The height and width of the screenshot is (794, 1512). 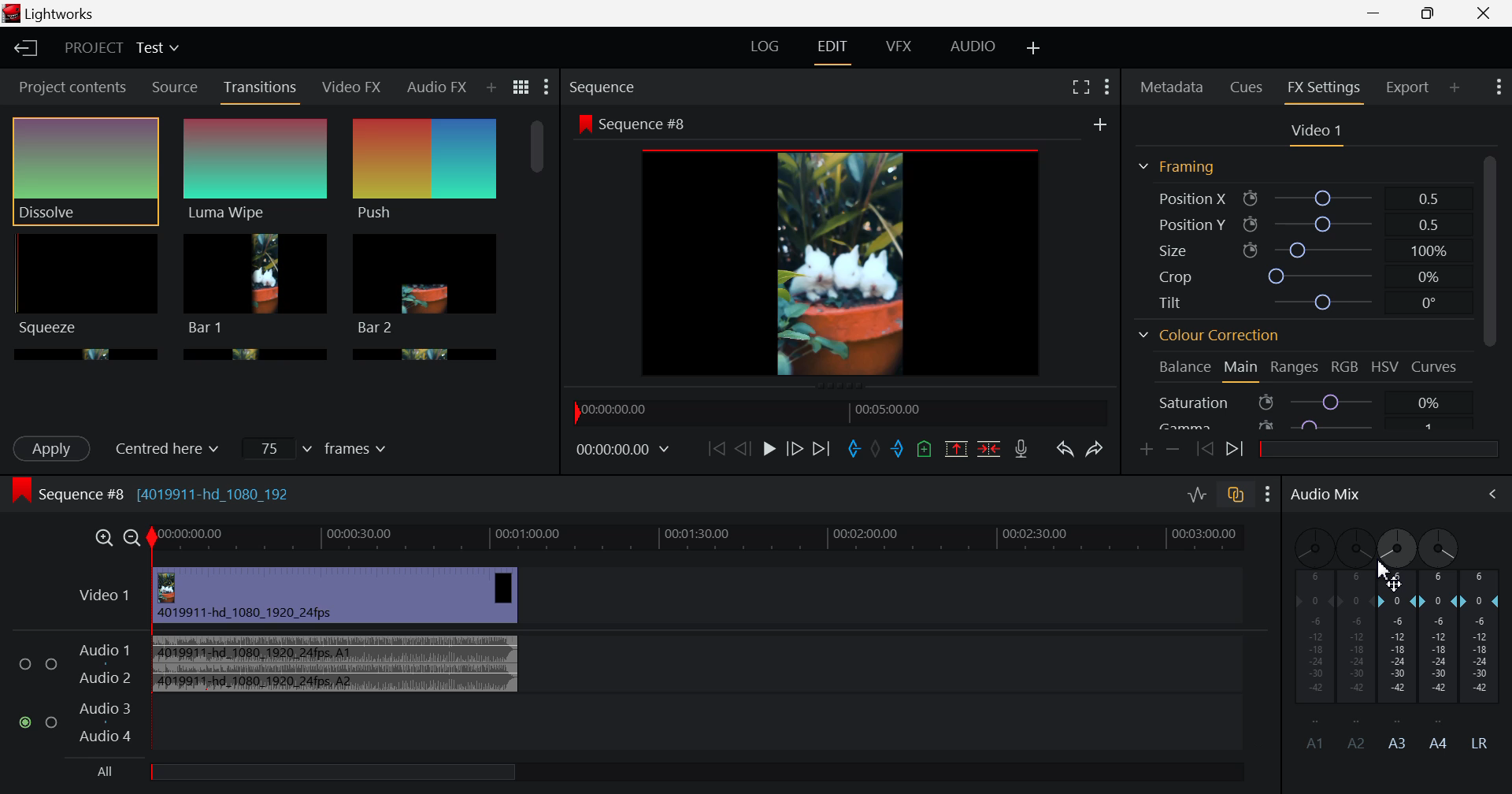 What do you see at coordinates (256, 284) in the screenshot?
I see `Bar 1` at bounding box center [256, 284].